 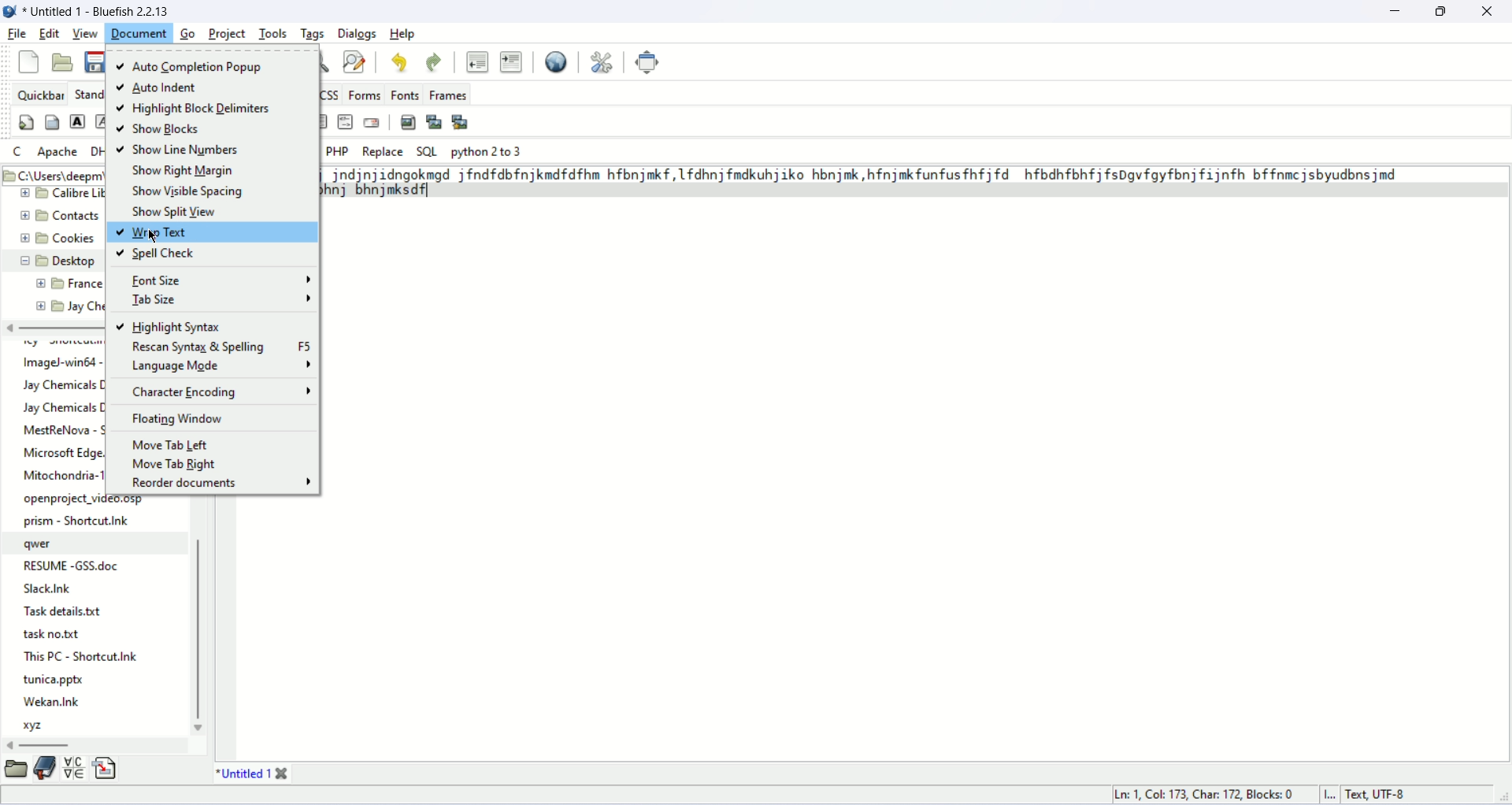 What do you see at coordinates (194, 109) in the screenshot?
I see `highlight block delimiters` at bounding box center [194, 109].